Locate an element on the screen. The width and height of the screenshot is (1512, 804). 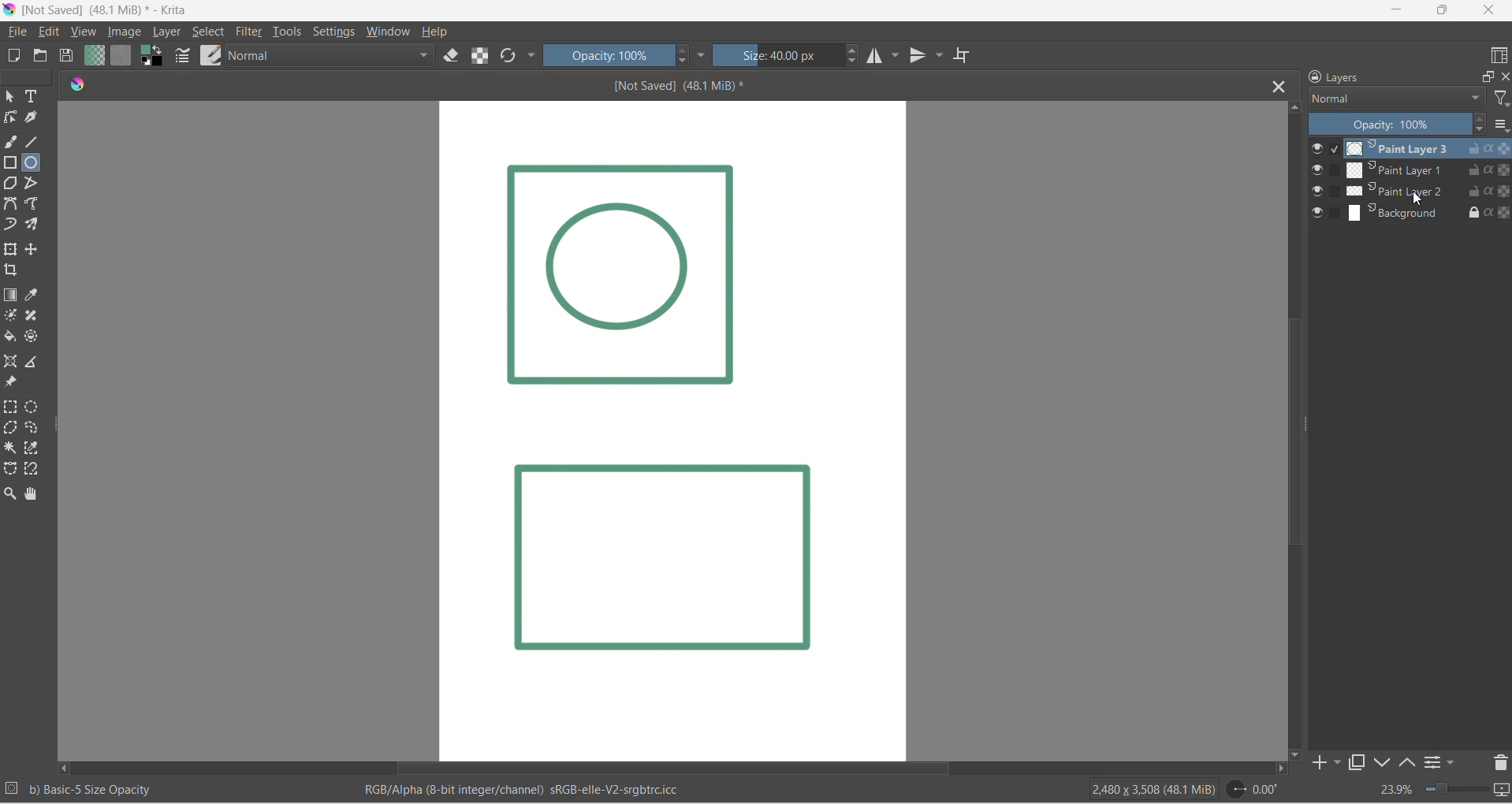
opacity is located at coordinates (605, 56).